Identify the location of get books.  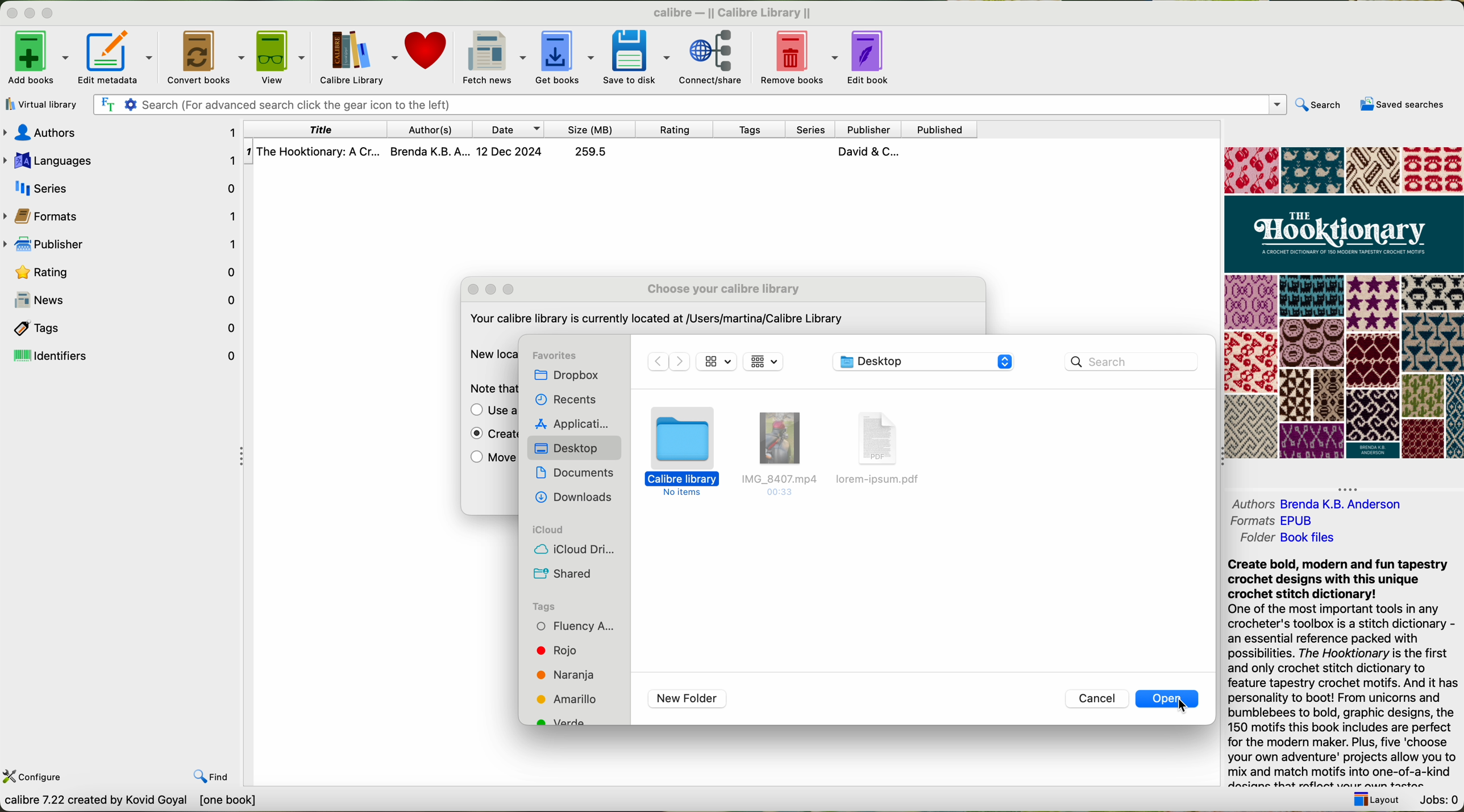
(565, 57).